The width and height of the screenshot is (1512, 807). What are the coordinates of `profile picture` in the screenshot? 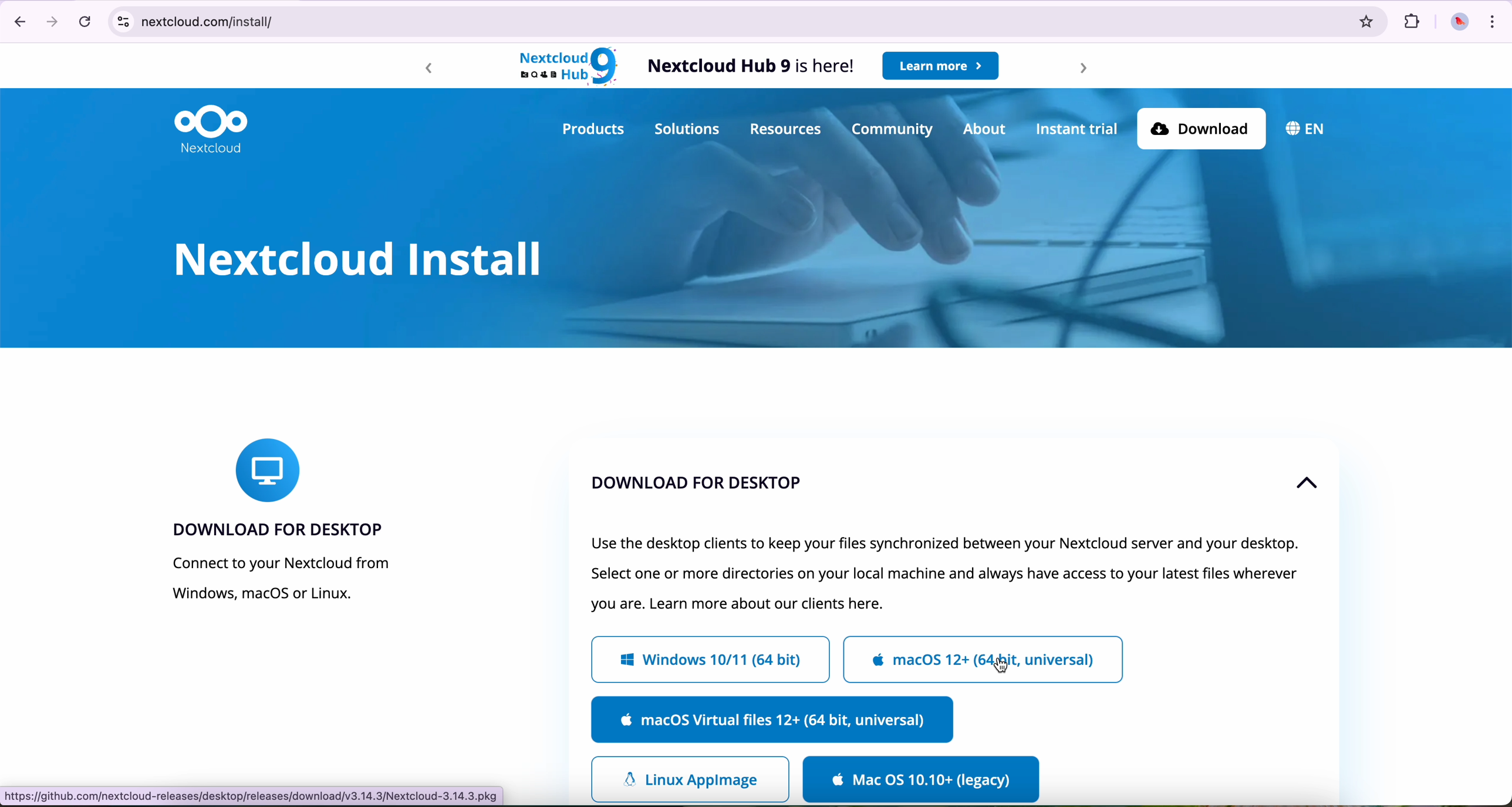 It's located at (1460, 22).